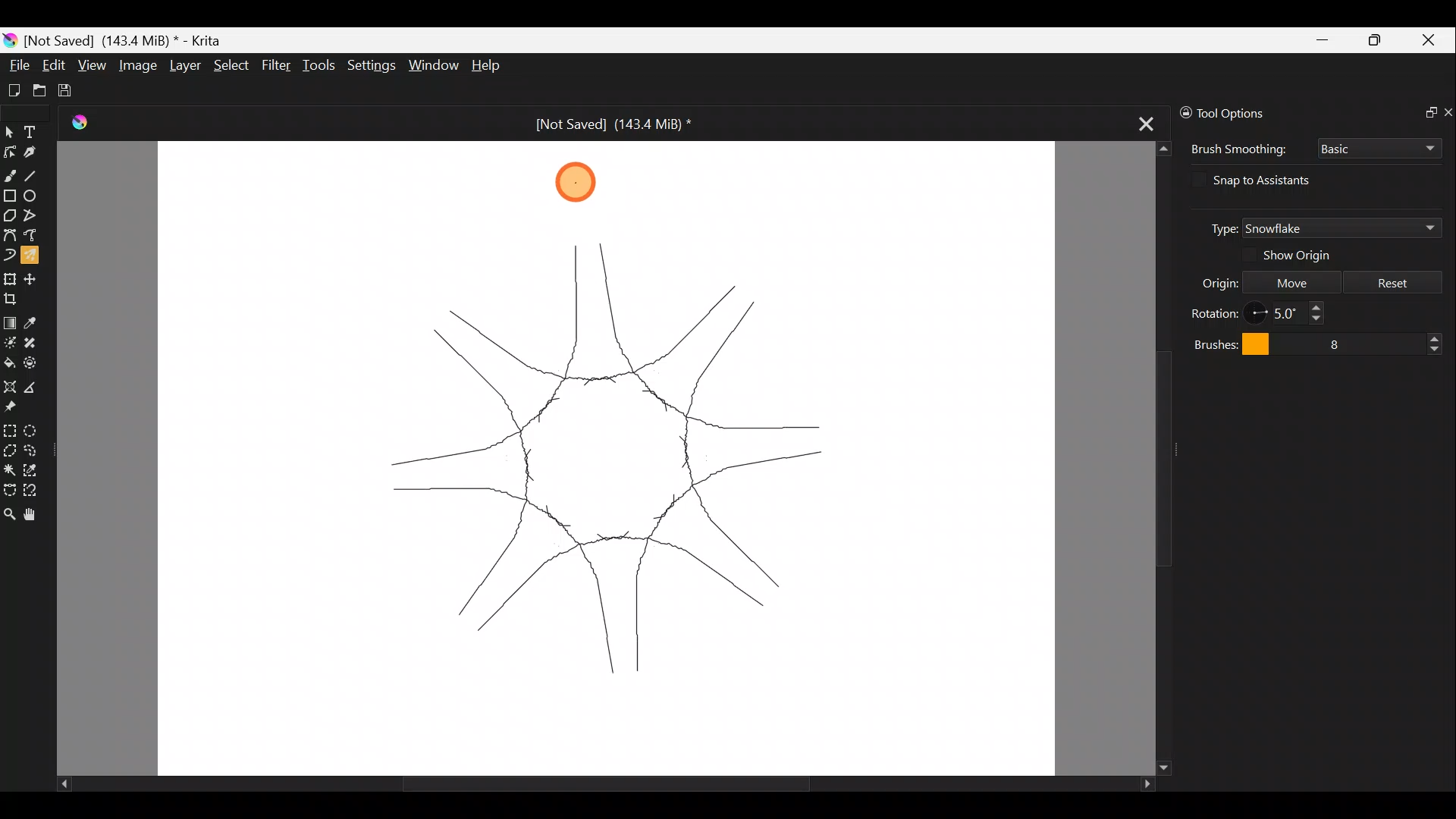 Image resolution: width=1456 pixels, height=819 pixels. I want to click on File, so click(14, 67).